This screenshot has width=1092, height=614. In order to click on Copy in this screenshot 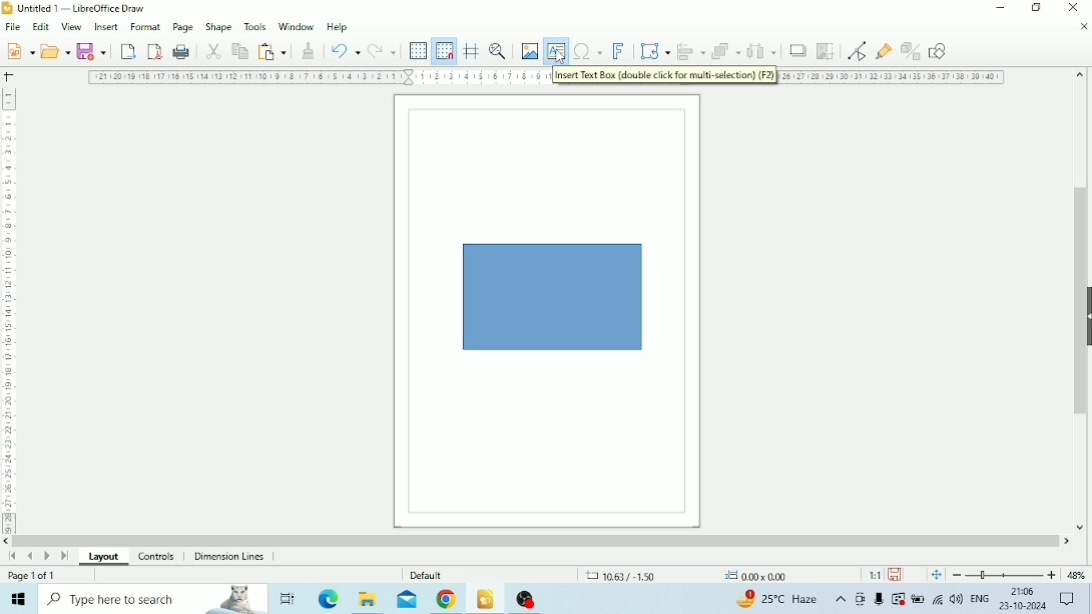, I will do `click(240, 51)`.